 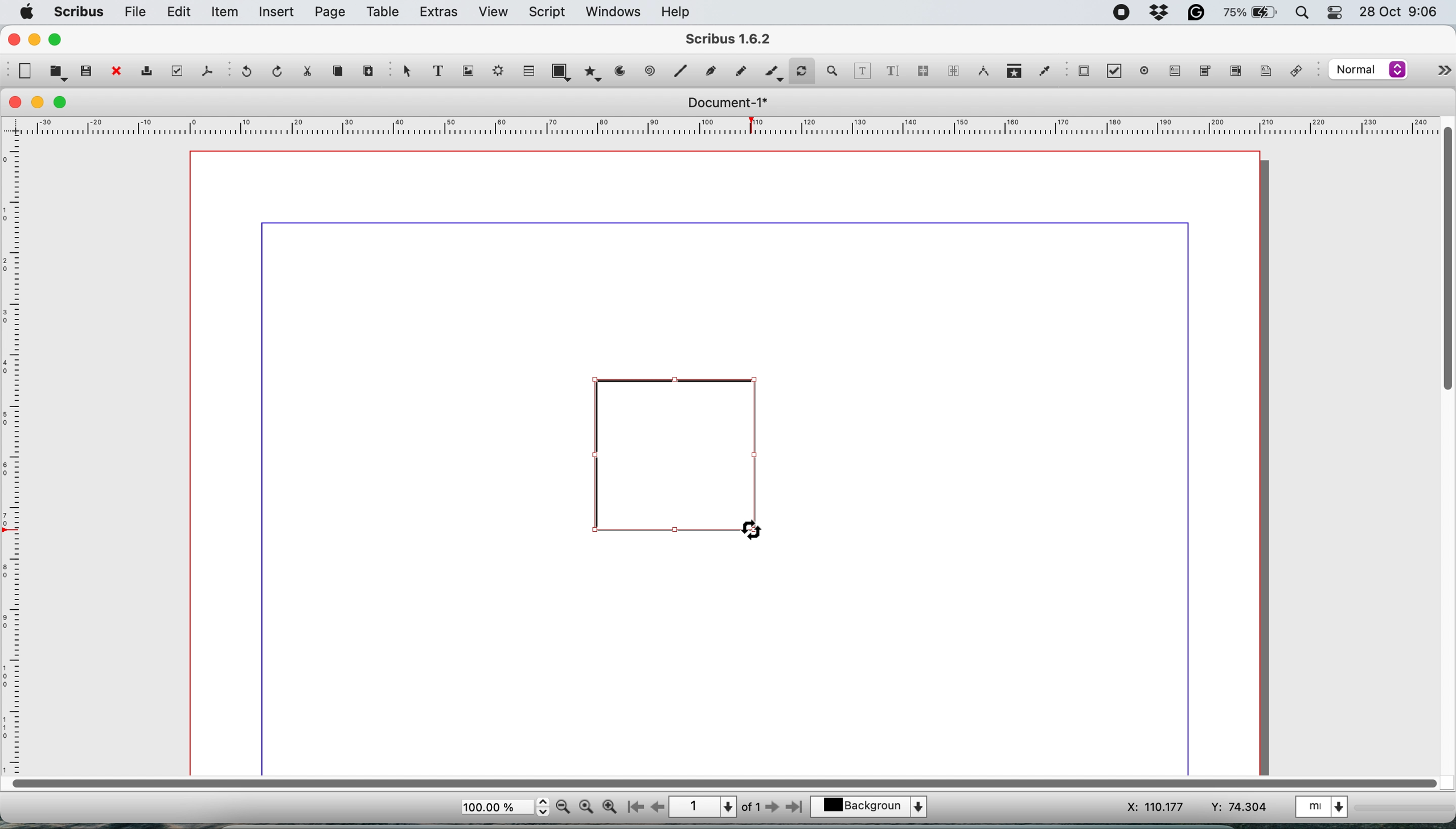 I want to click on spiral, so click(x=683, y=72).